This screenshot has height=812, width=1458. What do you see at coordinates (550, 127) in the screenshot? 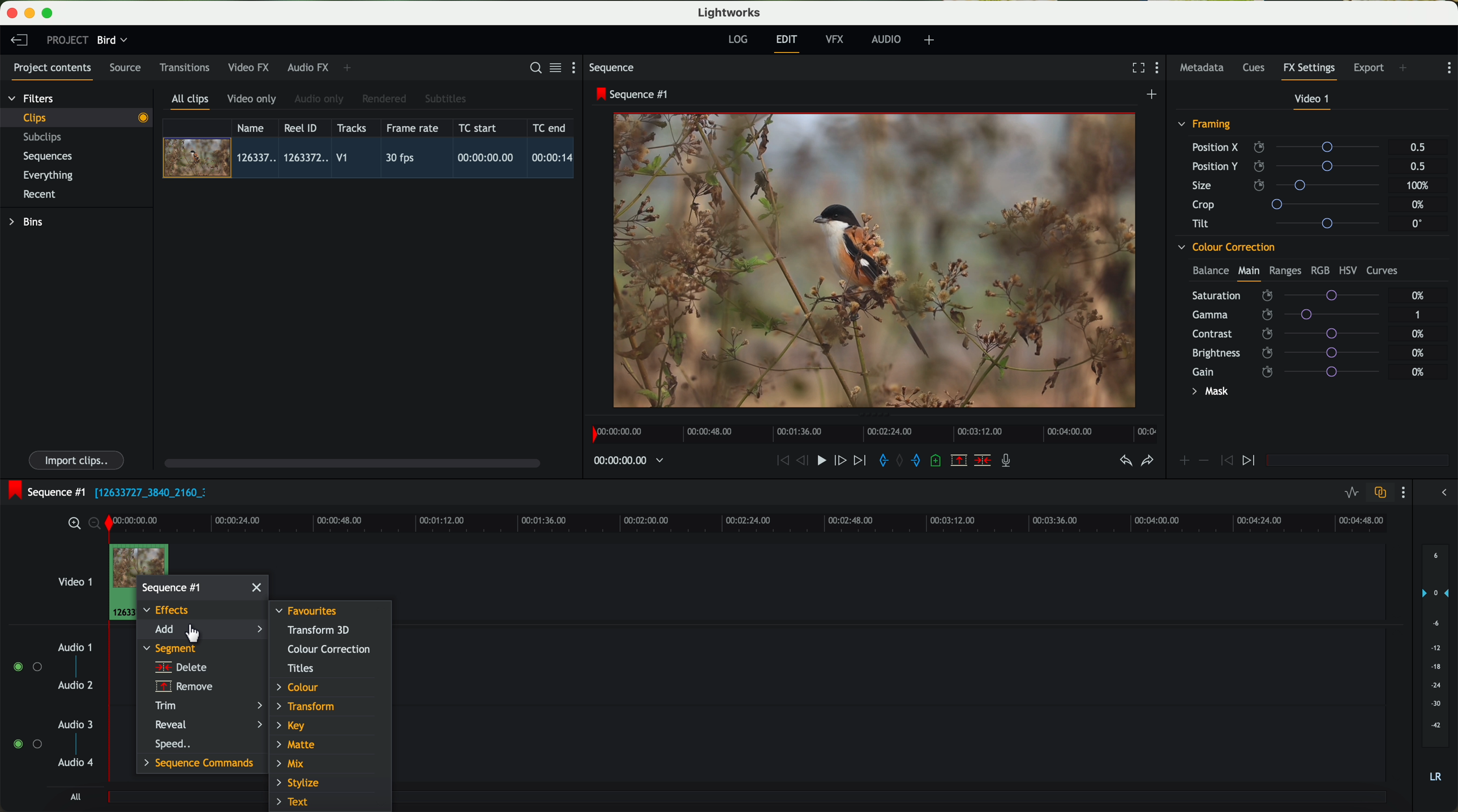
I see `TC end` at bounding box center [550, 127].